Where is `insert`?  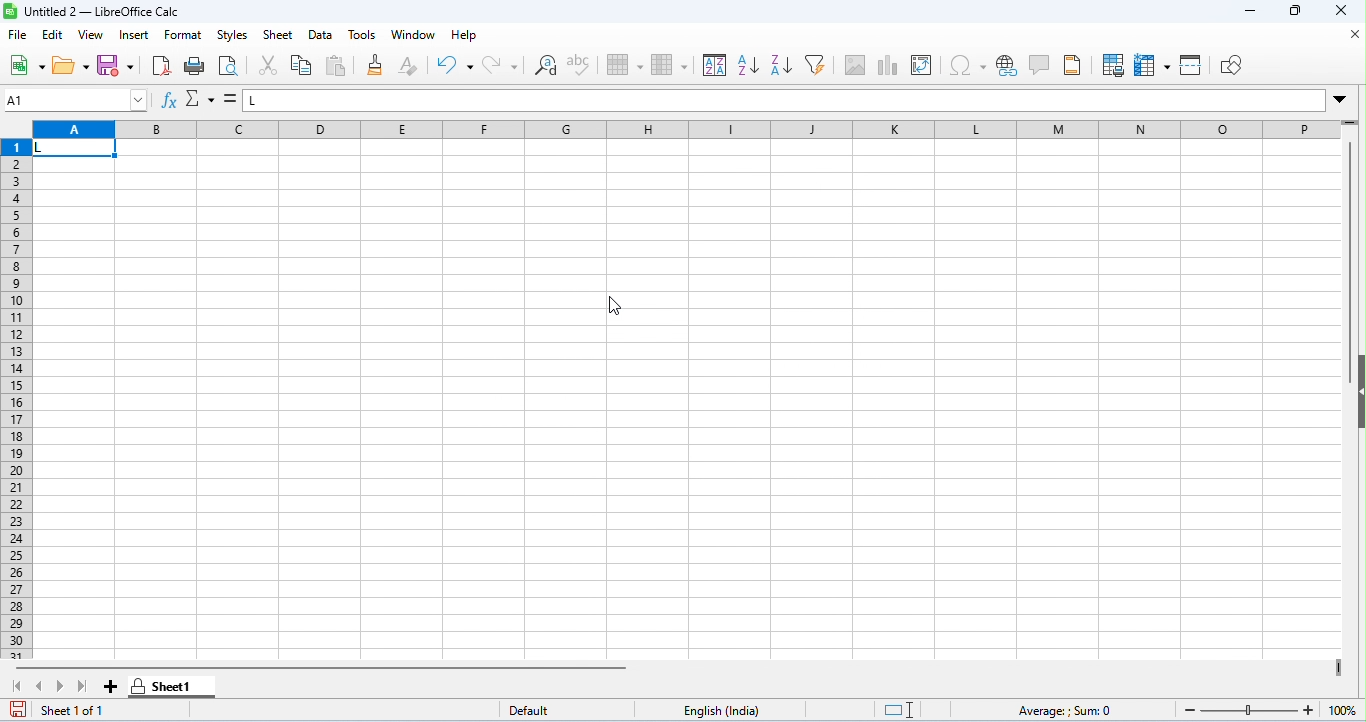
insert is located at coordinates (136, 36).